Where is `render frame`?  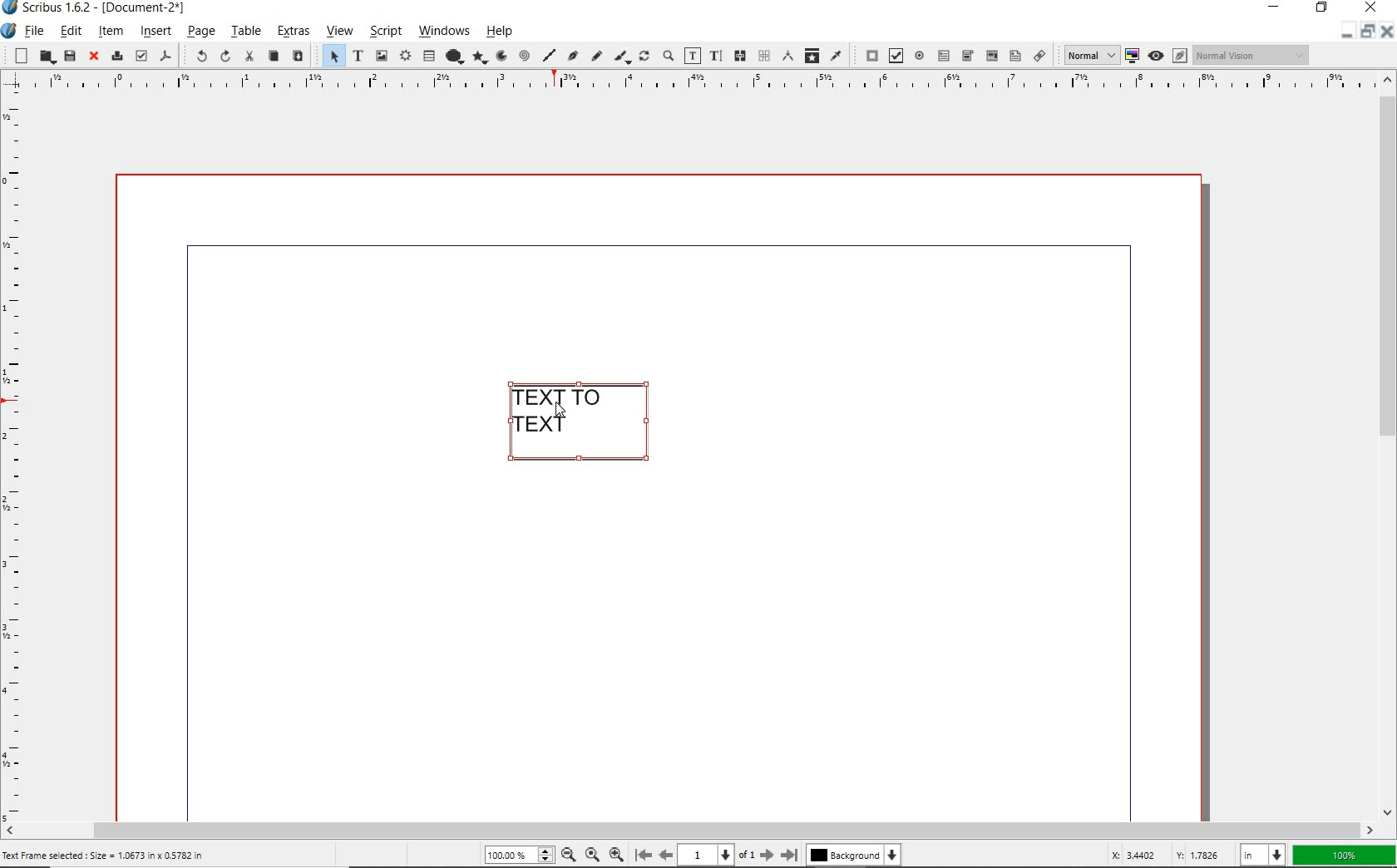 render frame is located at coordinates (405, 57).